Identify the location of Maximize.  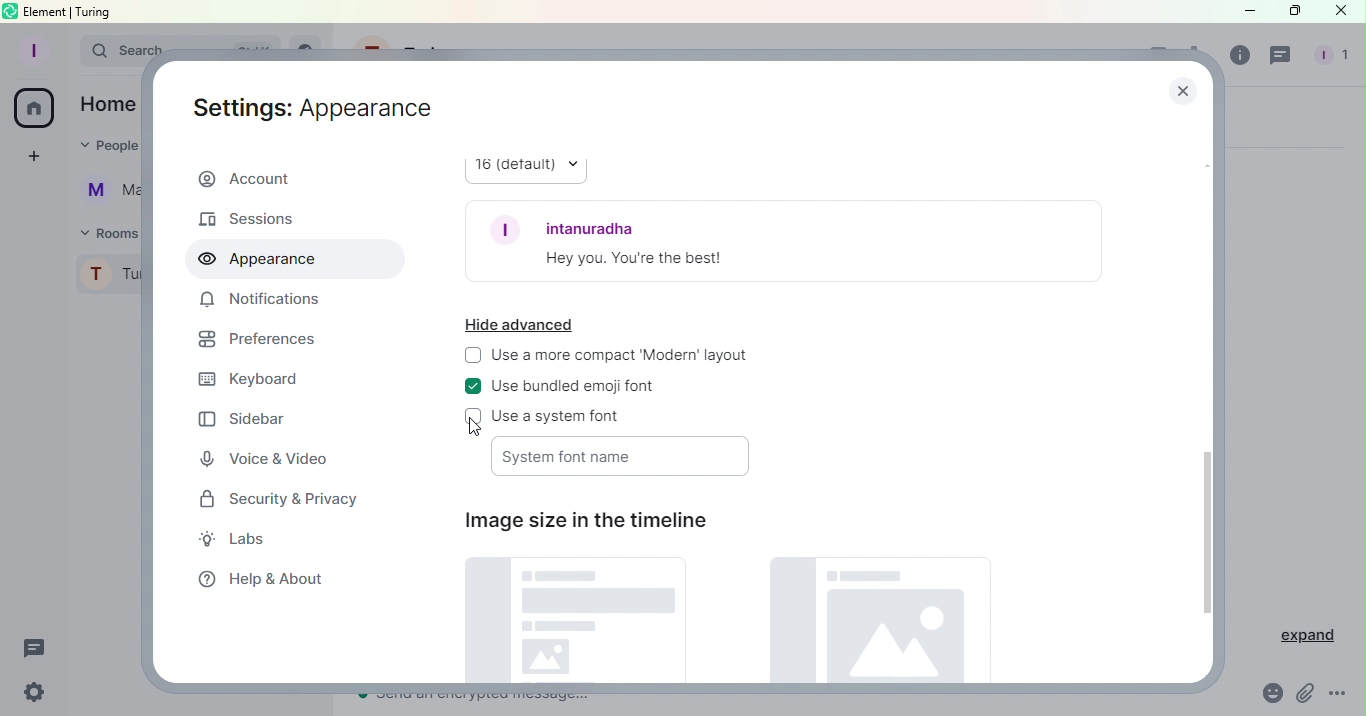
(1294, 12).